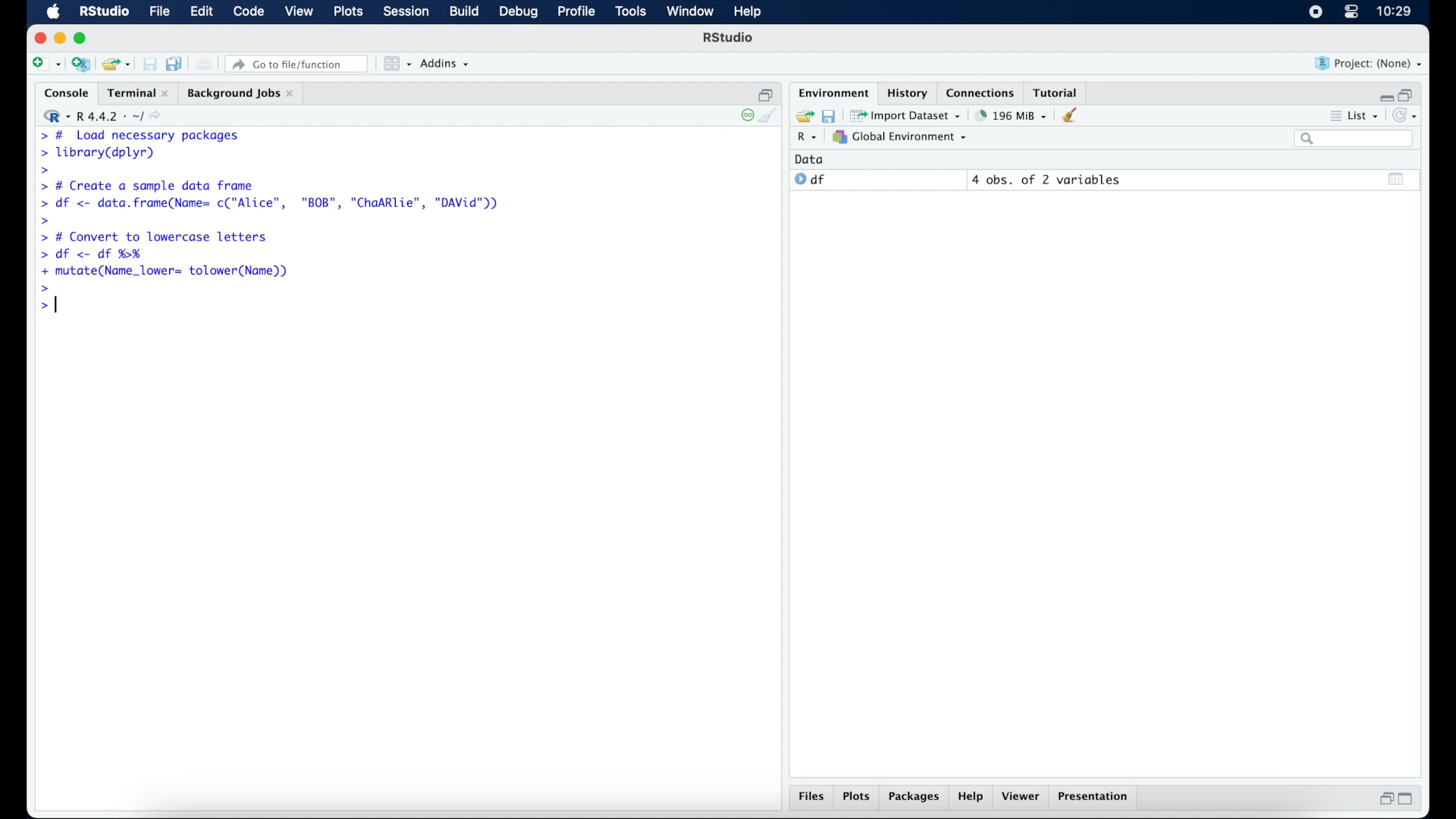 This screenshot has width=1456, height=819. Describe the element at coordinates (155, 237) in the screenshot. I see `> # Convert to lowercase letters|` at that location.